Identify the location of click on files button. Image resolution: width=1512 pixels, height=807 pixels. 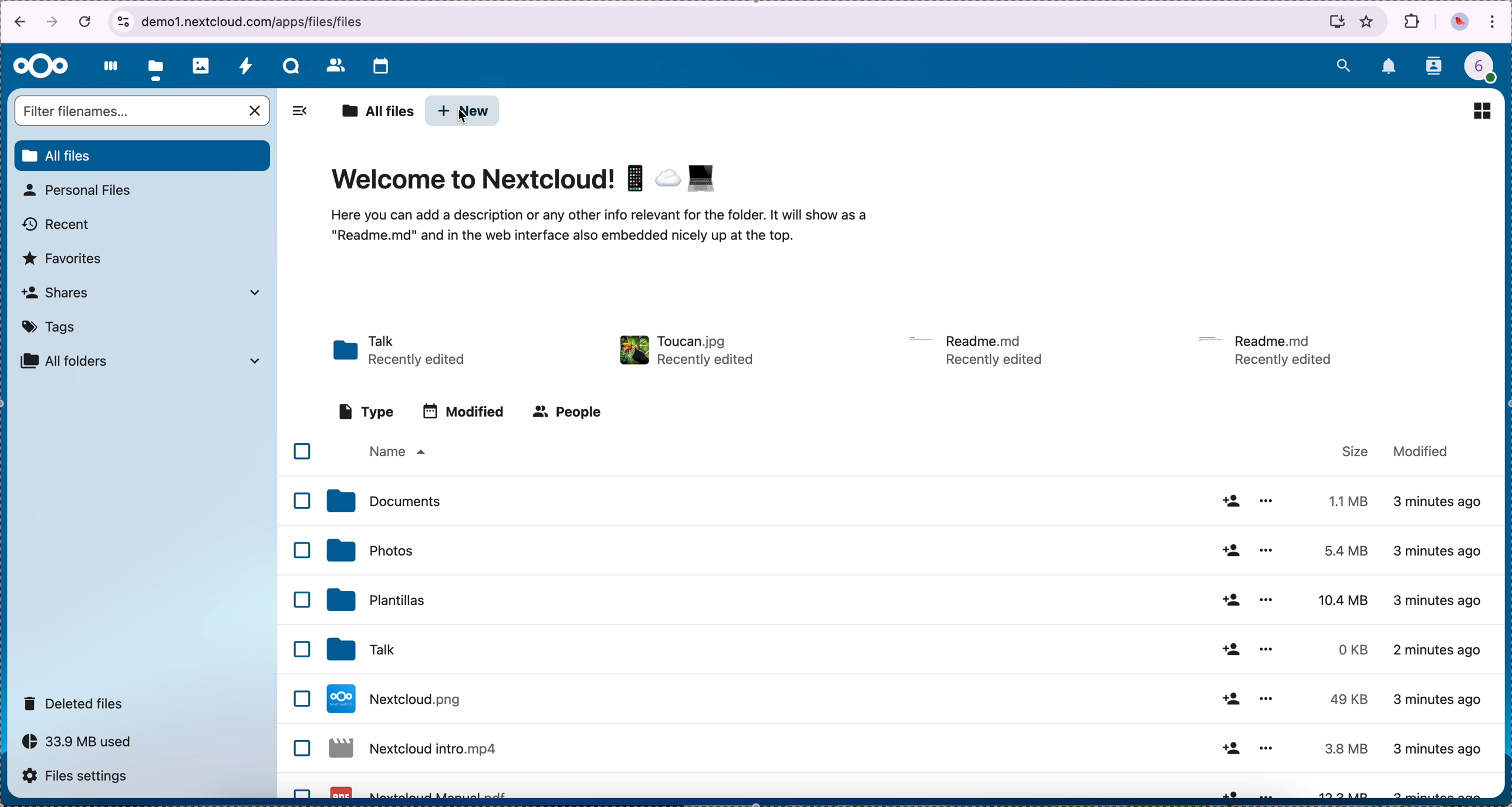
(158, 66).